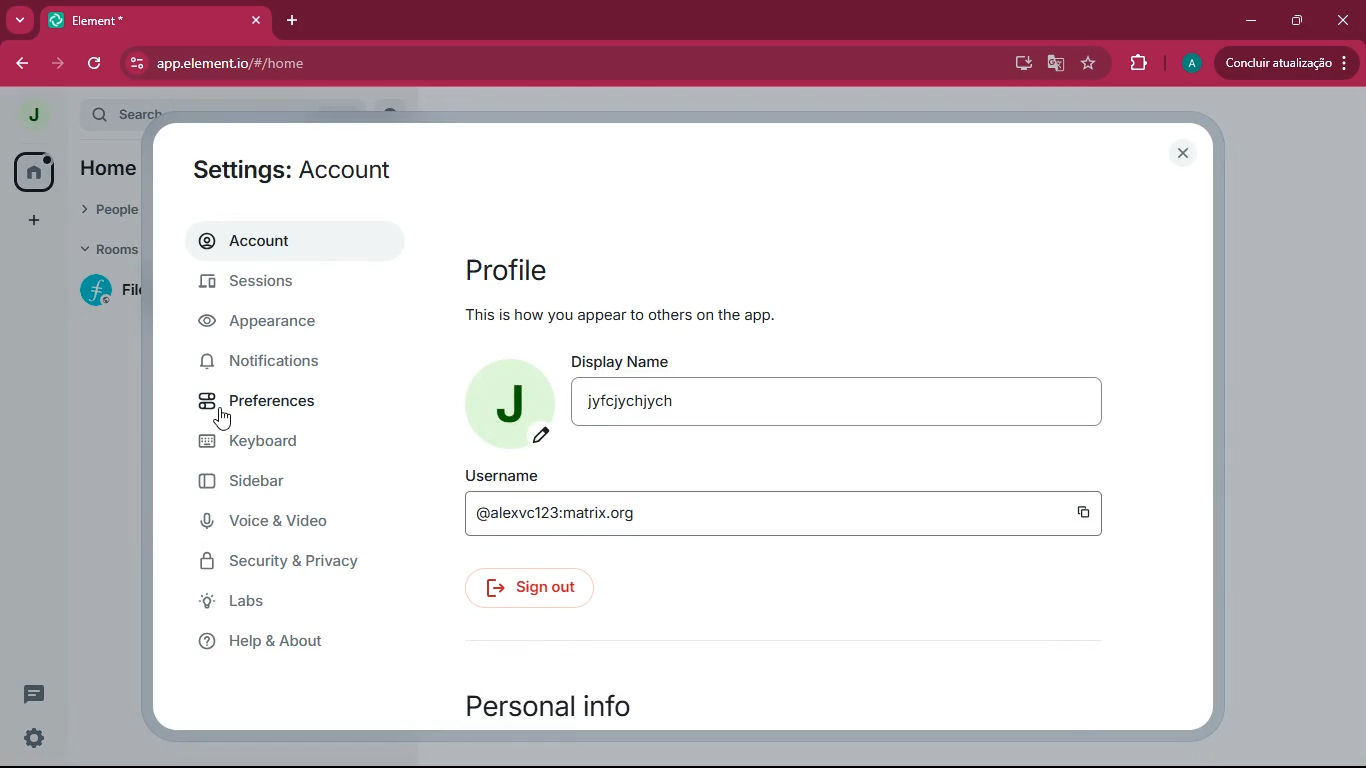  I want to click on desktop, so click(1021, 64).